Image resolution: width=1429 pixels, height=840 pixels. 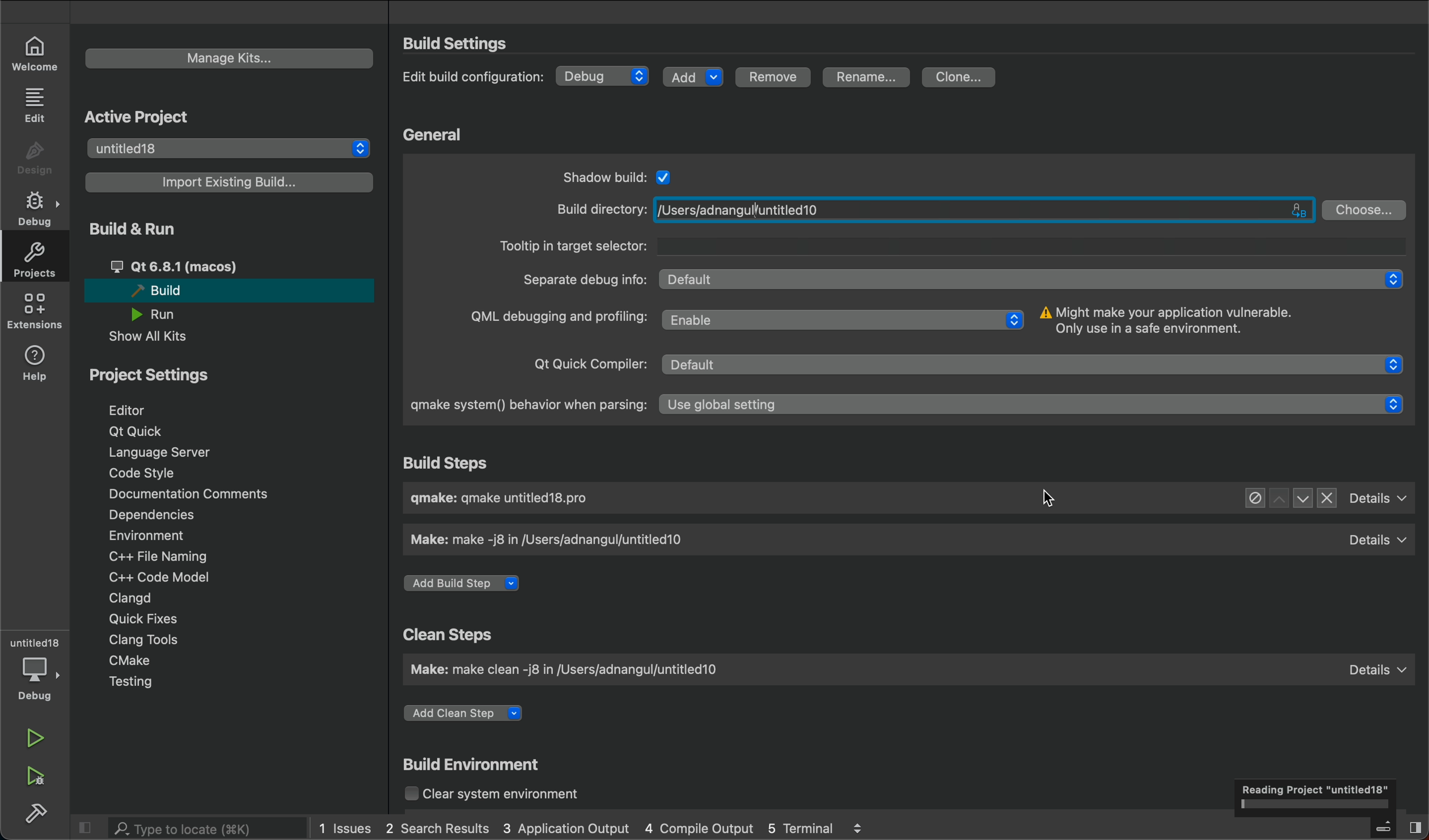 I want to click on editor, so click(x=141, y=409).